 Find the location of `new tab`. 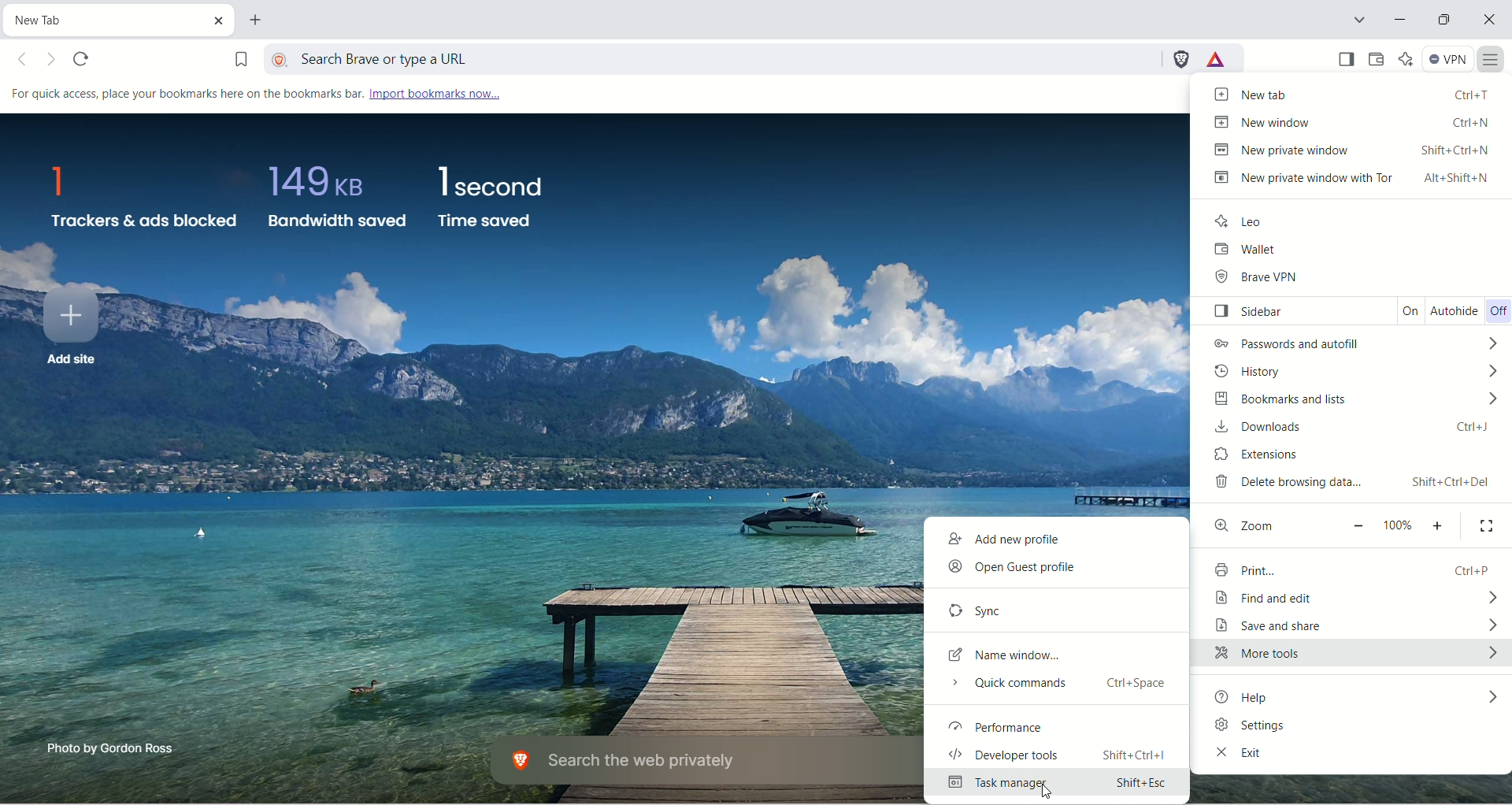

new tab is located at coordinates (261, 22).